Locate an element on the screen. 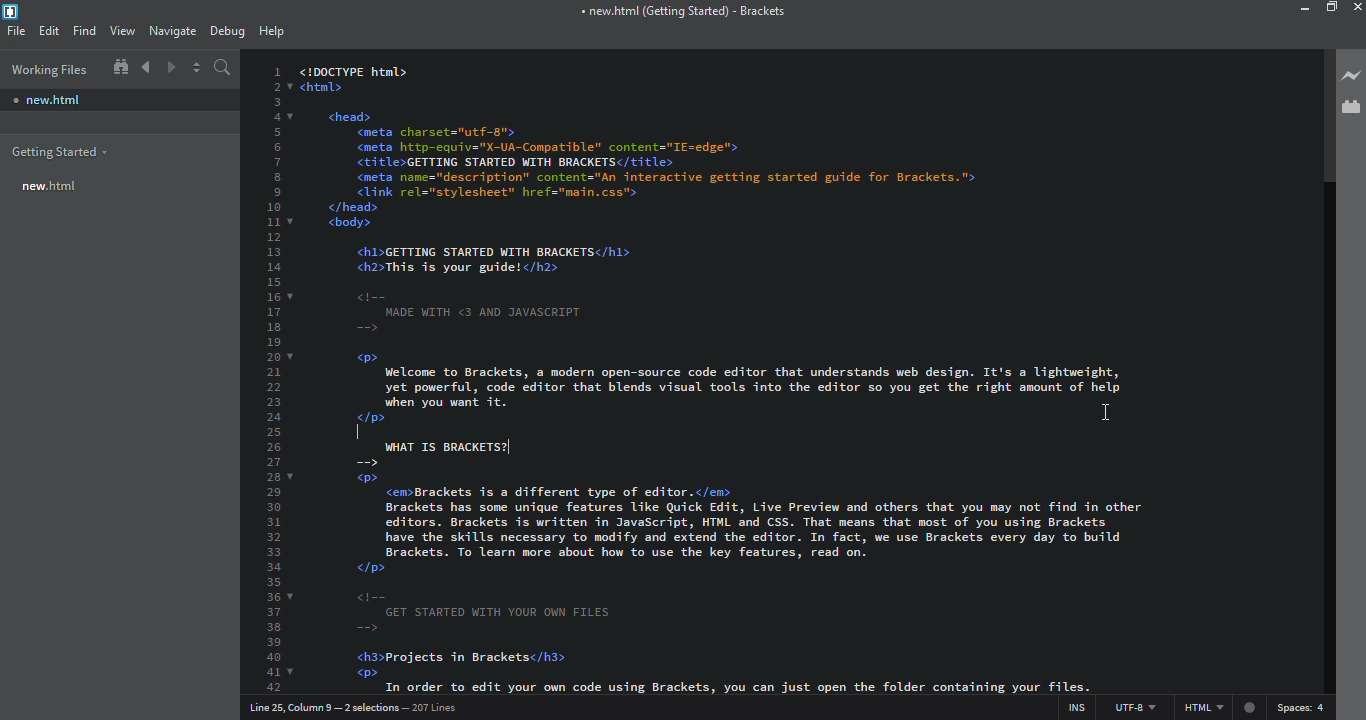 The image size is (1366, 720). line is located at coordinates (360, 705).